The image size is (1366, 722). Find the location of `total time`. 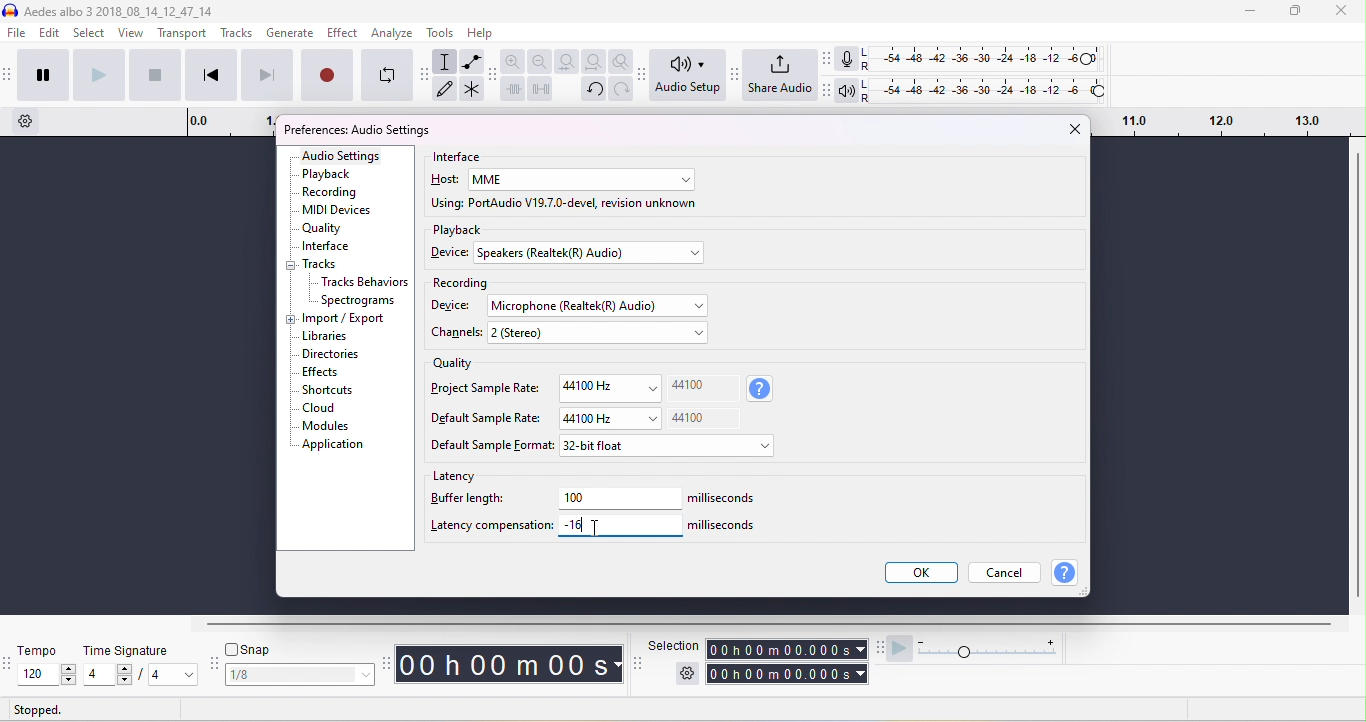

total time is located at coordinates (779, 674).